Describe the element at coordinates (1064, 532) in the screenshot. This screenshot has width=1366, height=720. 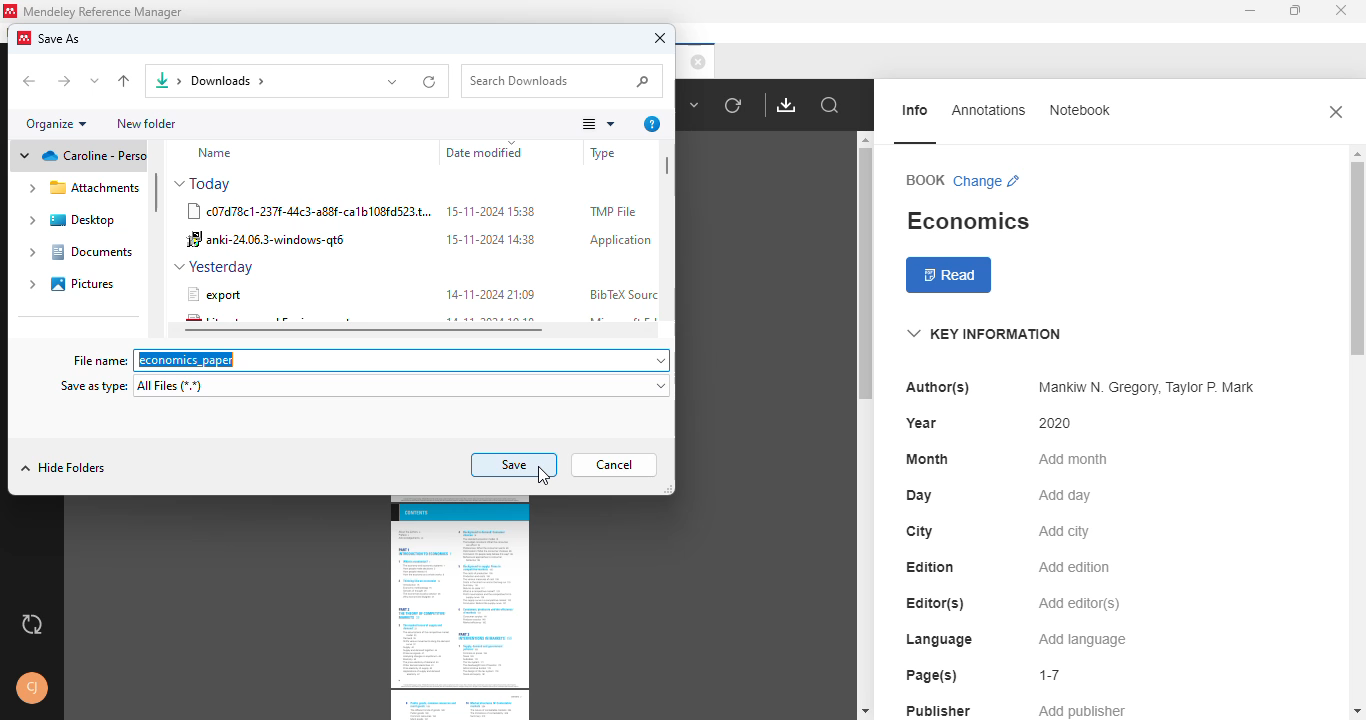
I see `add city` at that location.